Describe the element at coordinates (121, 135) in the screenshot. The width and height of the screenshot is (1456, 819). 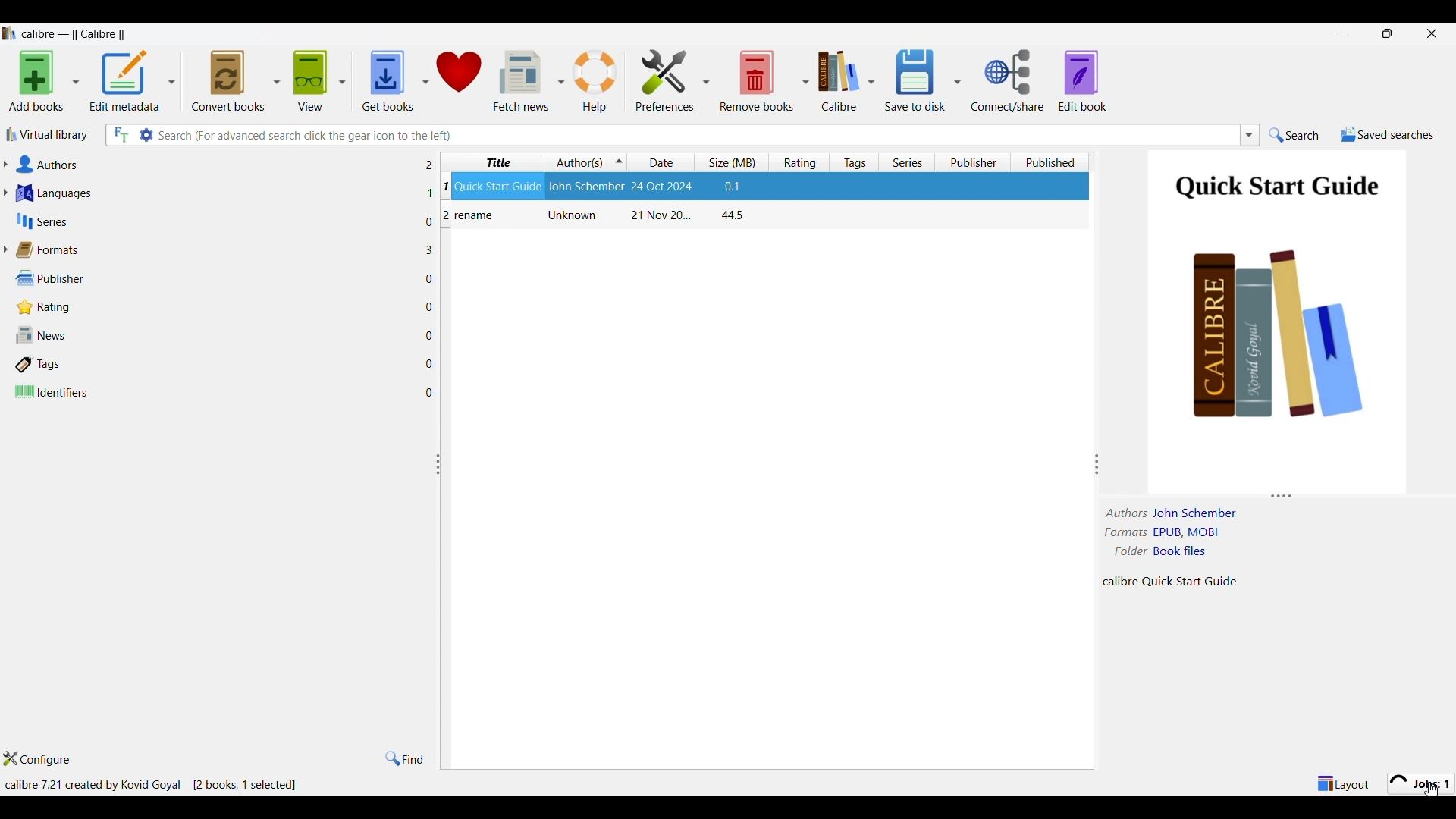
I see `Search all files` at that location.